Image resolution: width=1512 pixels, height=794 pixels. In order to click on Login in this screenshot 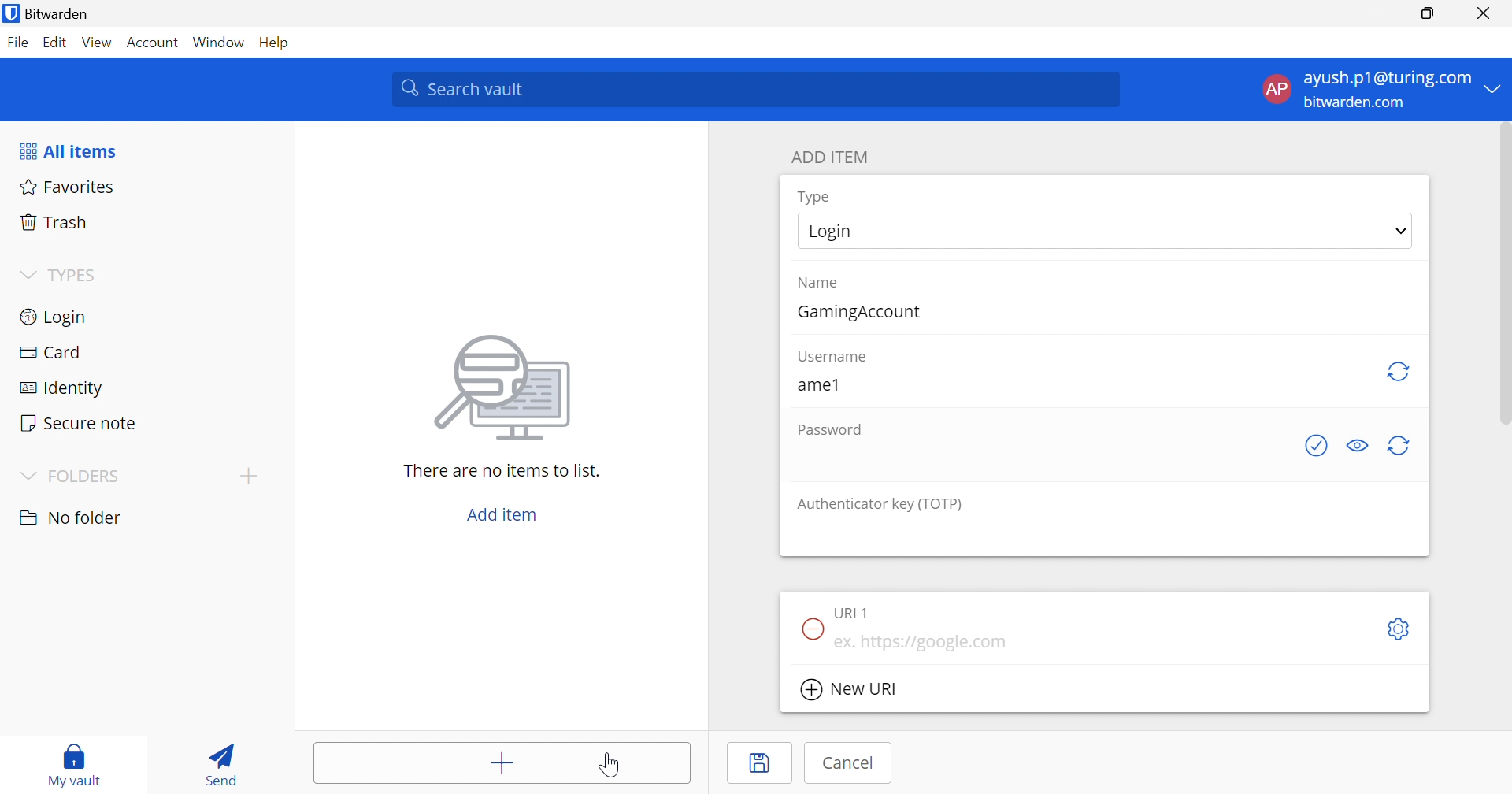, I will do `click(834, 232)`.